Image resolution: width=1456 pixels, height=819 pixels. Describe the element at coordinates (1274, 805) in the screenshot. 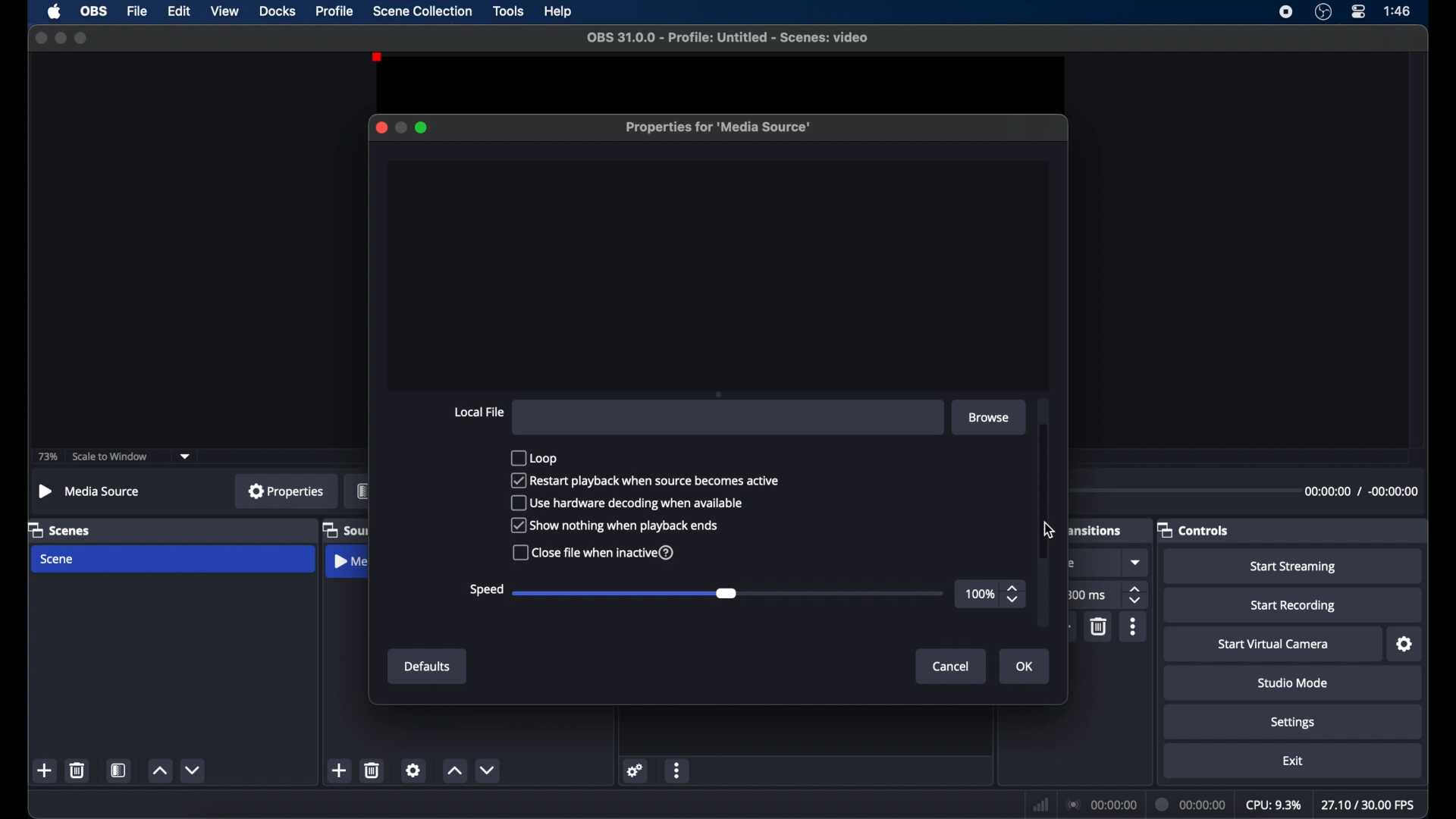

I see `cpu` at that location.